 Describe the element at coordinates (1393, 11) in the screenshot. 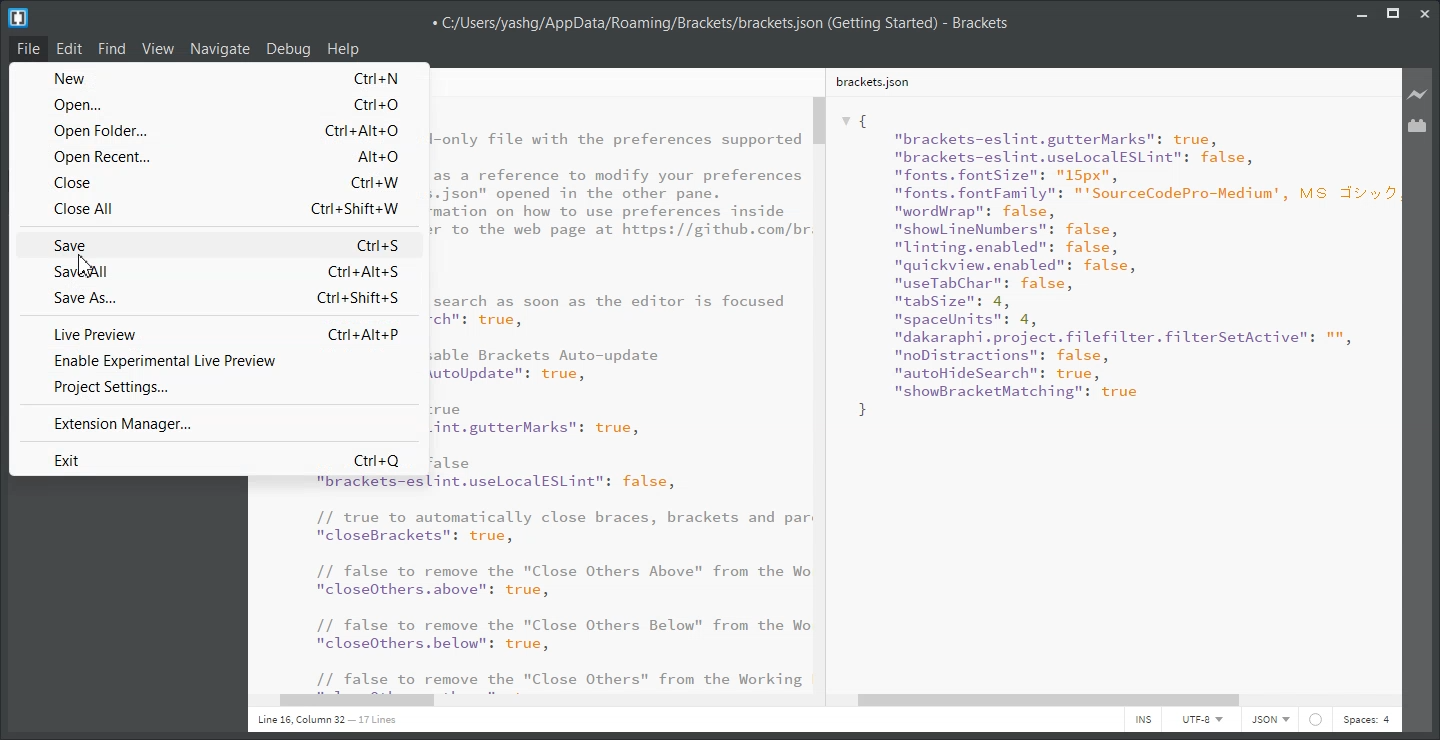

I see `Maximize` at that location.